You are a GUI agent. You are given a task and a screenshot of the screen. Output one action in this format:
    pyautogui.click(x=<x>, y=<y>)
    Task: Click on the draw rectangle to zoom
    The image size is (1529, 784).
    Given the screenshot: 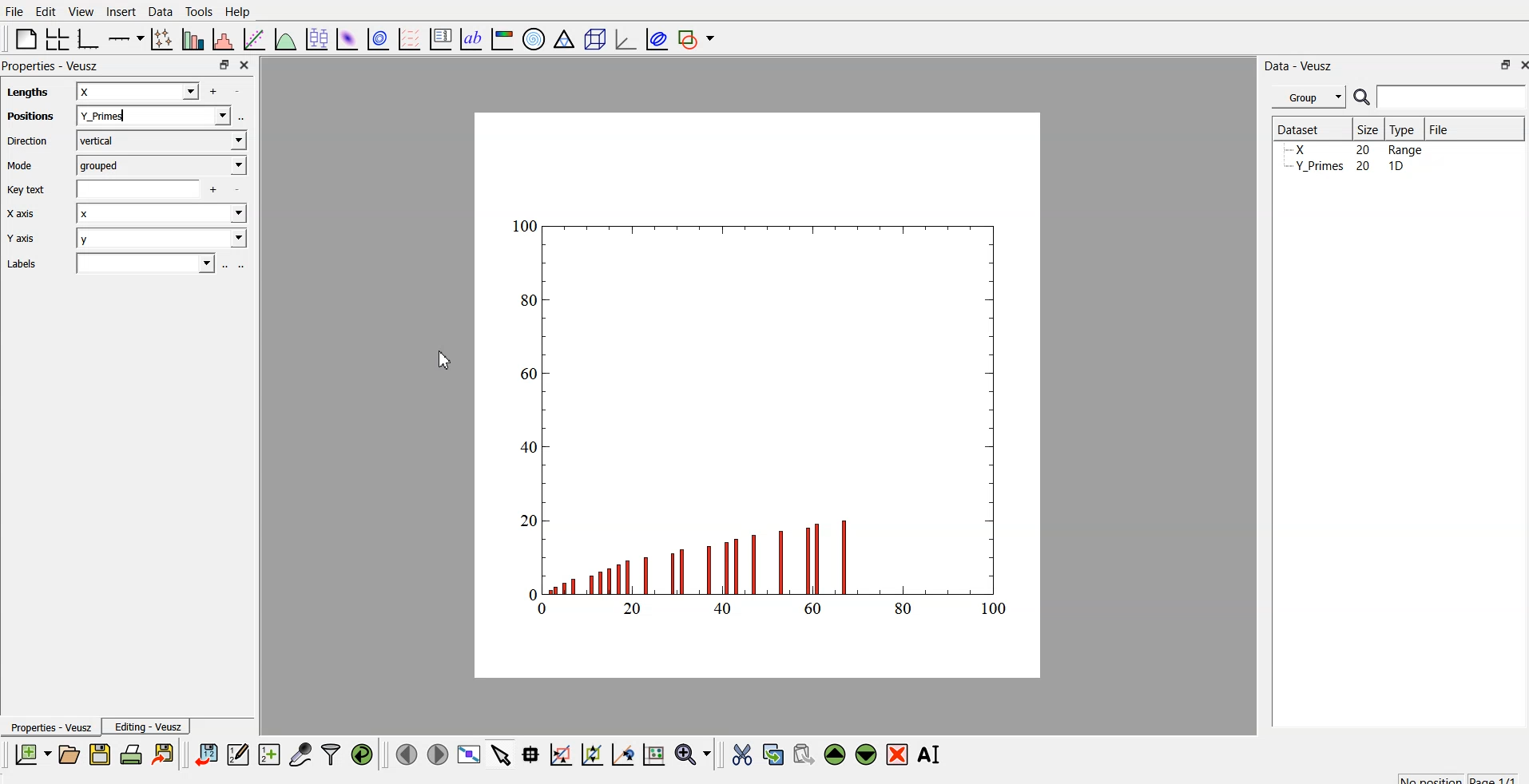 What is the action you would take?
    pyautogui.click(x=560, y=754)
    